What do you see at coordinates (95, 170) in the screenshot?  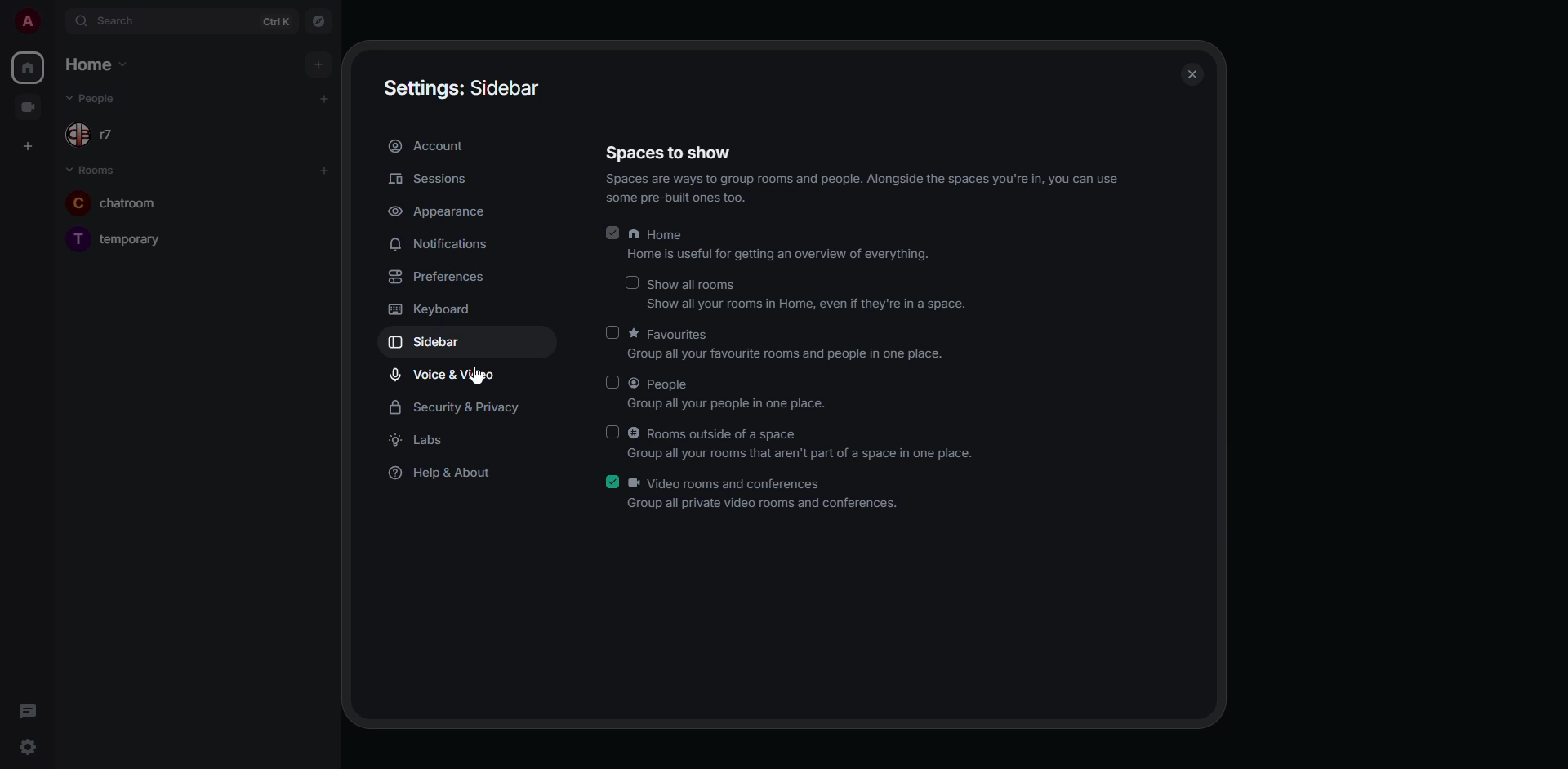 I see `rooms` at bounding box center [95, 170].